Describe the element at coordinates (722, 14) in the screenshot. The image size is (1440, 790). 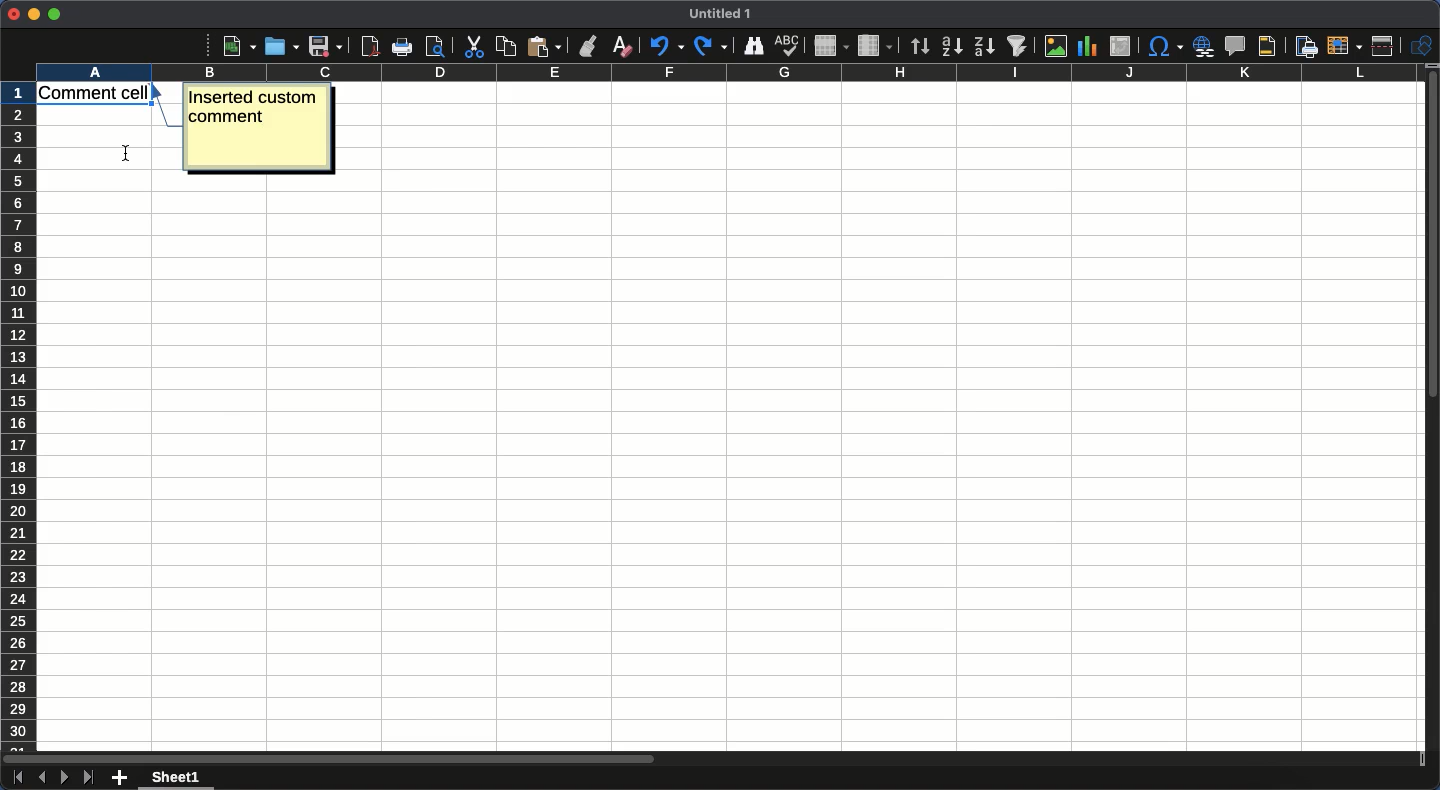
I see `Title` at that location.